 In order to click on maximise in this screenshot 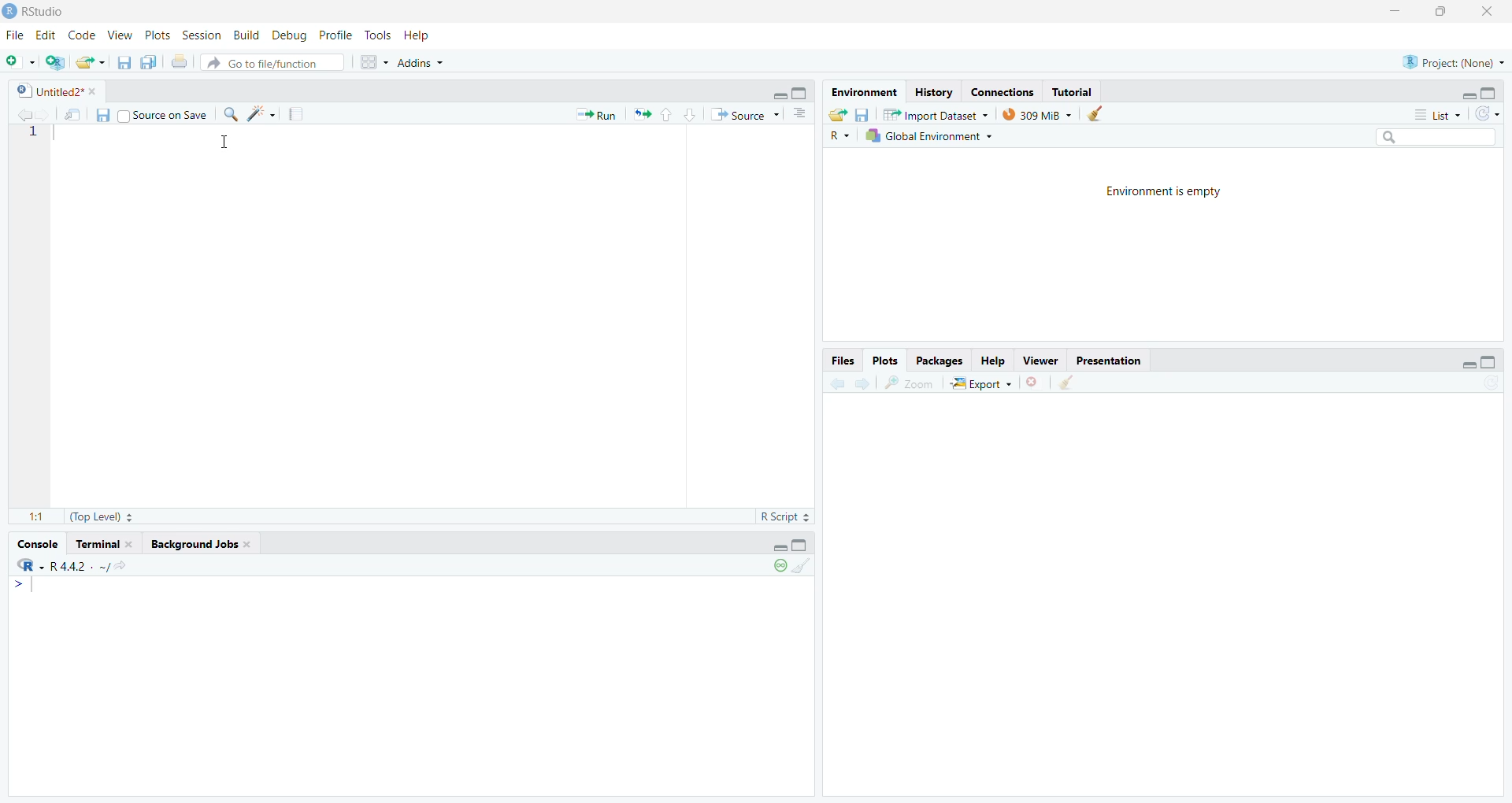, I will do `click(1444, 12)`.